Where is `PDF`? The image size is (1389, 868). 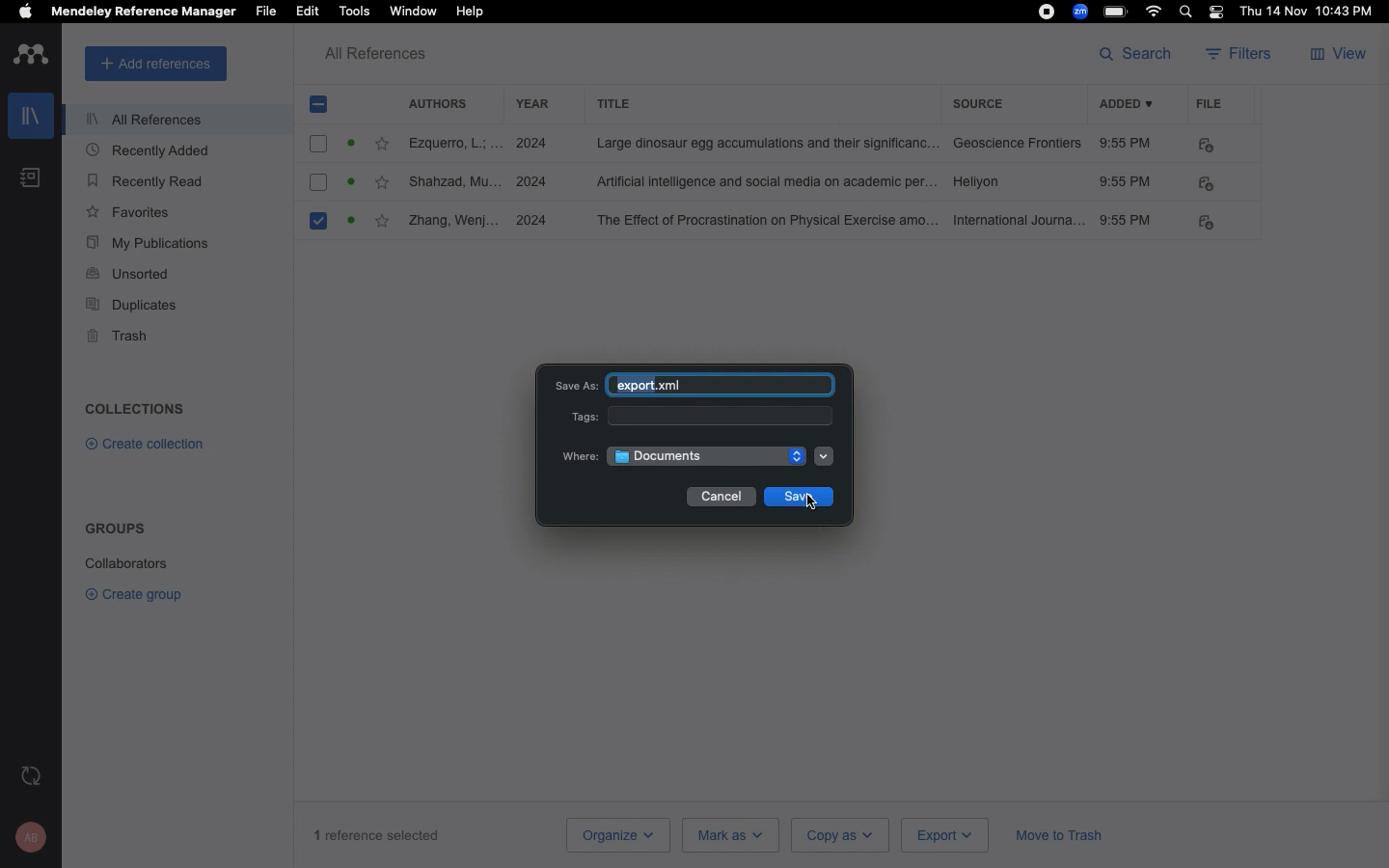
PDF is located at coordinates (1205, 145).